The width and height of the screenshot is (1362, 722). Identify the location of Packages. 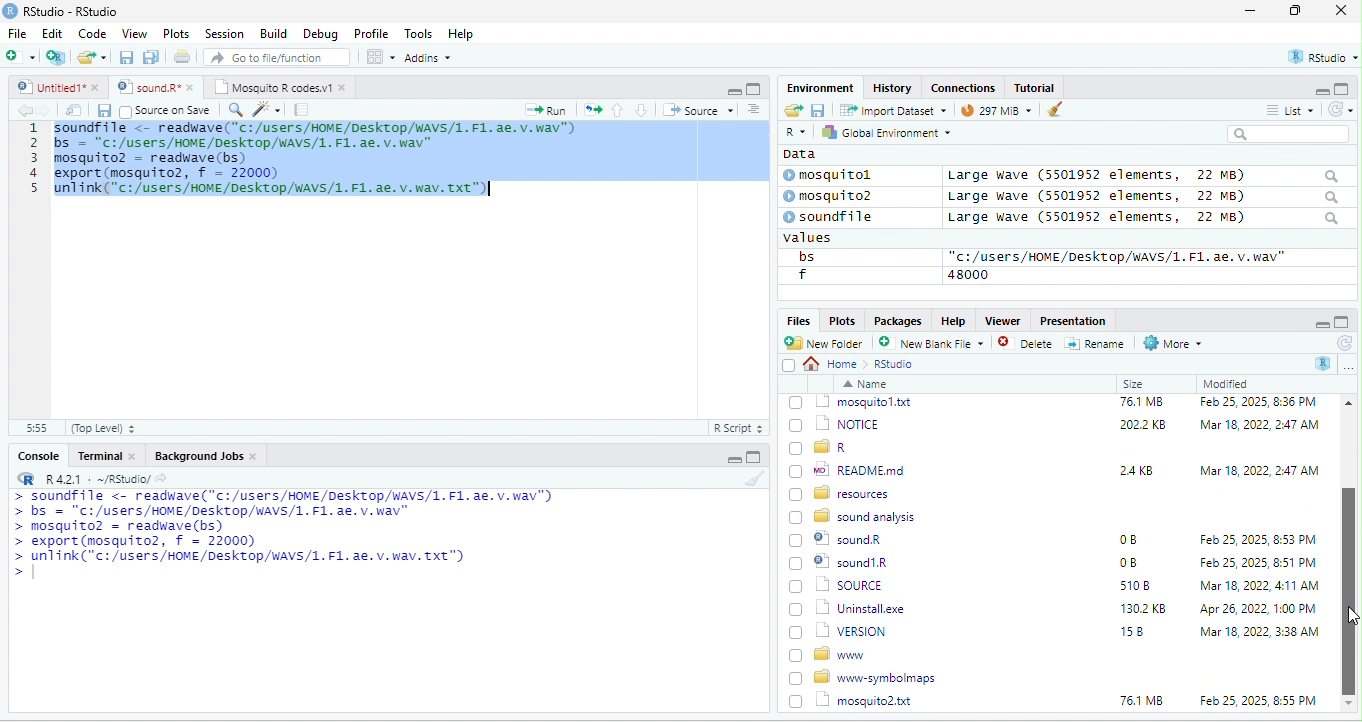
(901, 320).